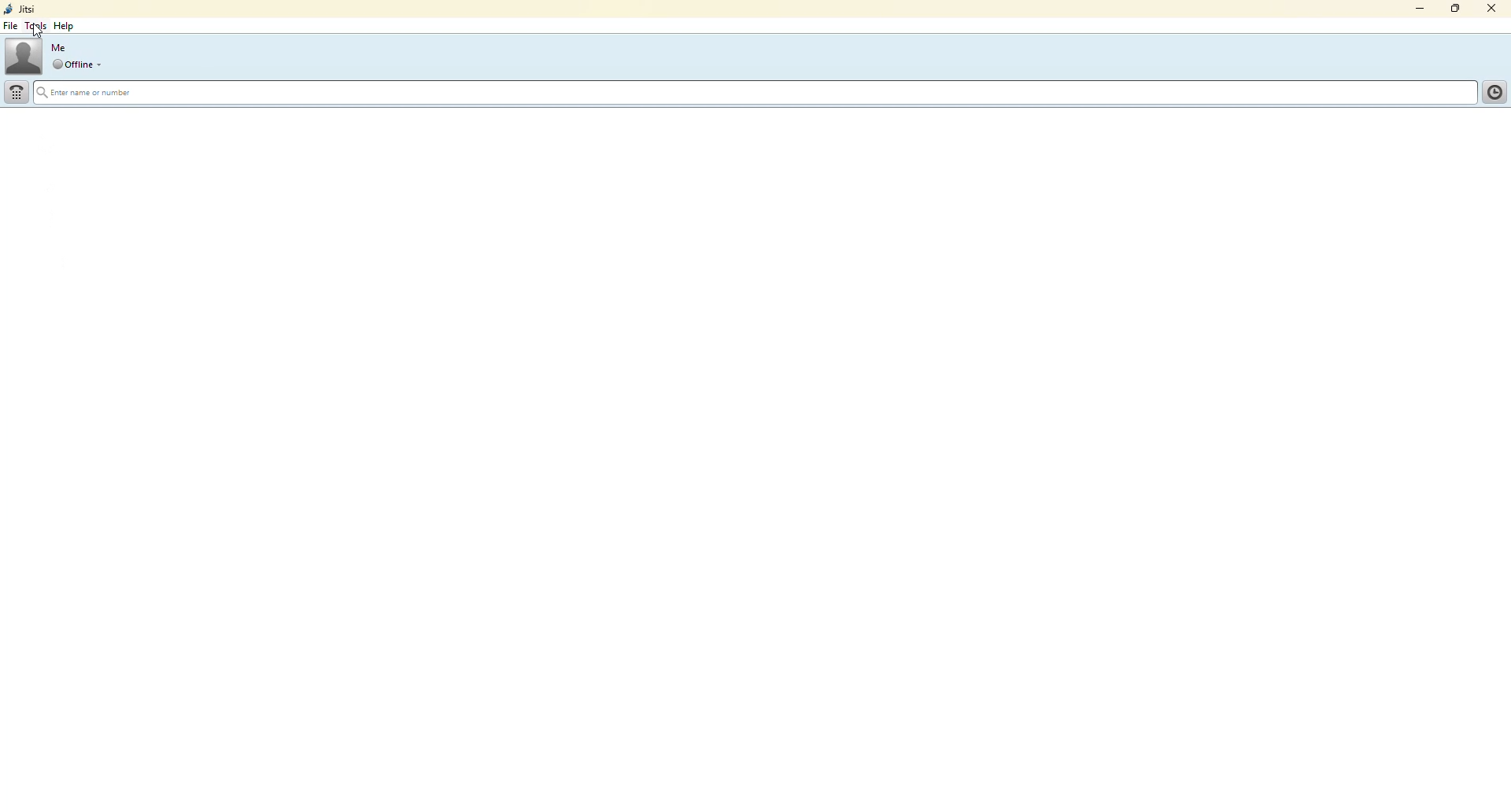 The height and width of the screenshot is (812, 1511). I want to click on close, so click(1491, 9).